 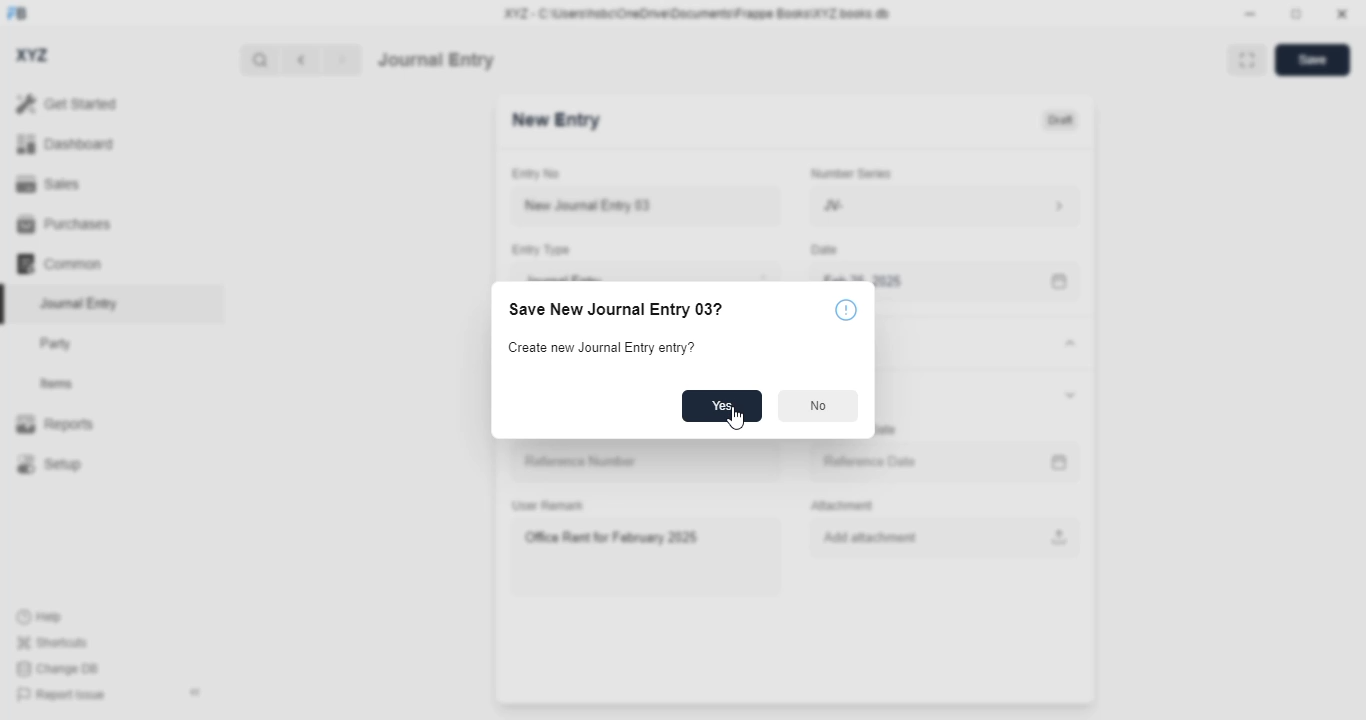 I want to click on report issue, so click(x=61, y=695).